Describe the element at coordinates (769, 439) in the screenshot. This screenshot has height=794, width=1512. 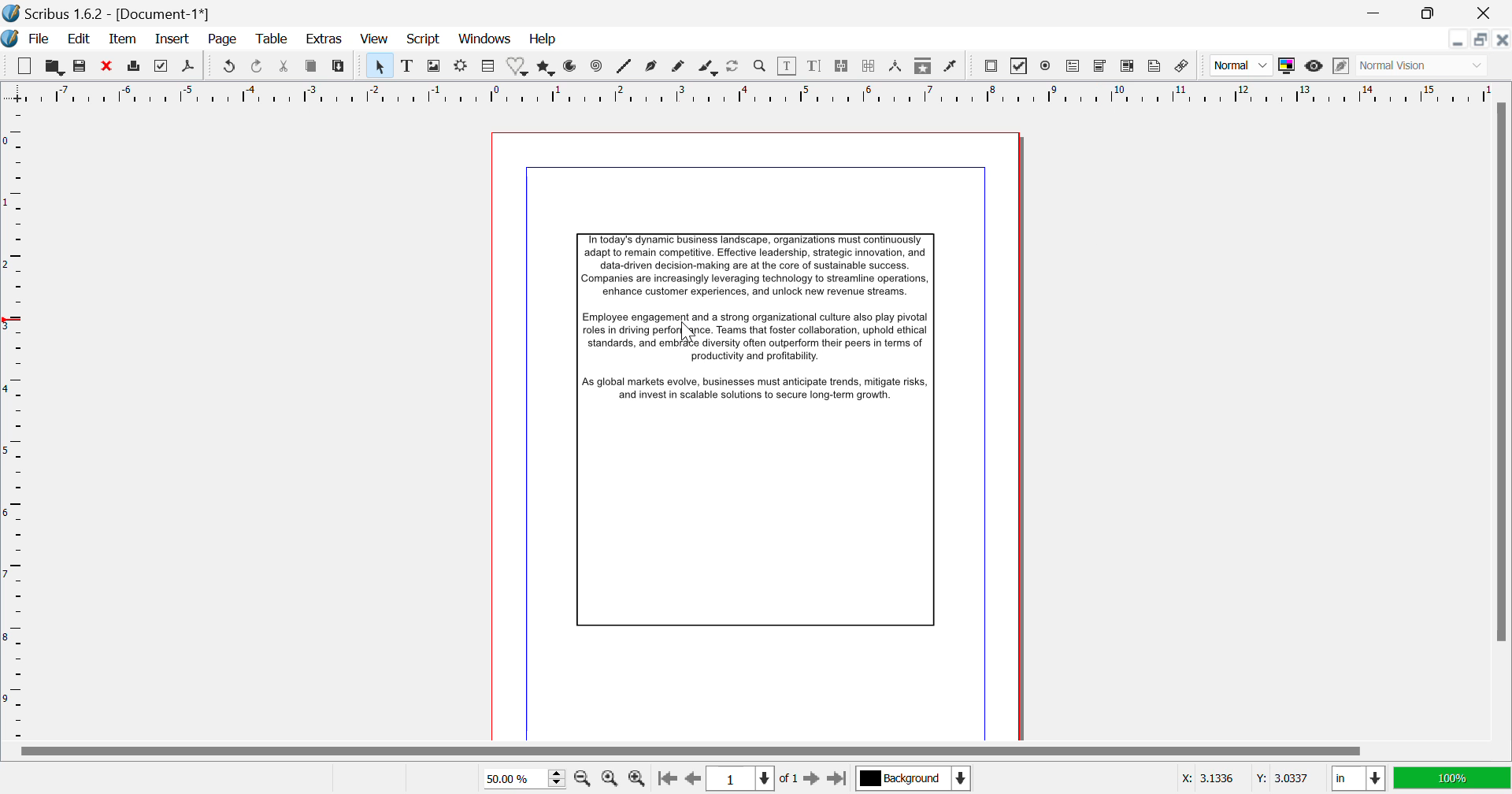
I see `Text Frame with Business Organization Text` at that location.